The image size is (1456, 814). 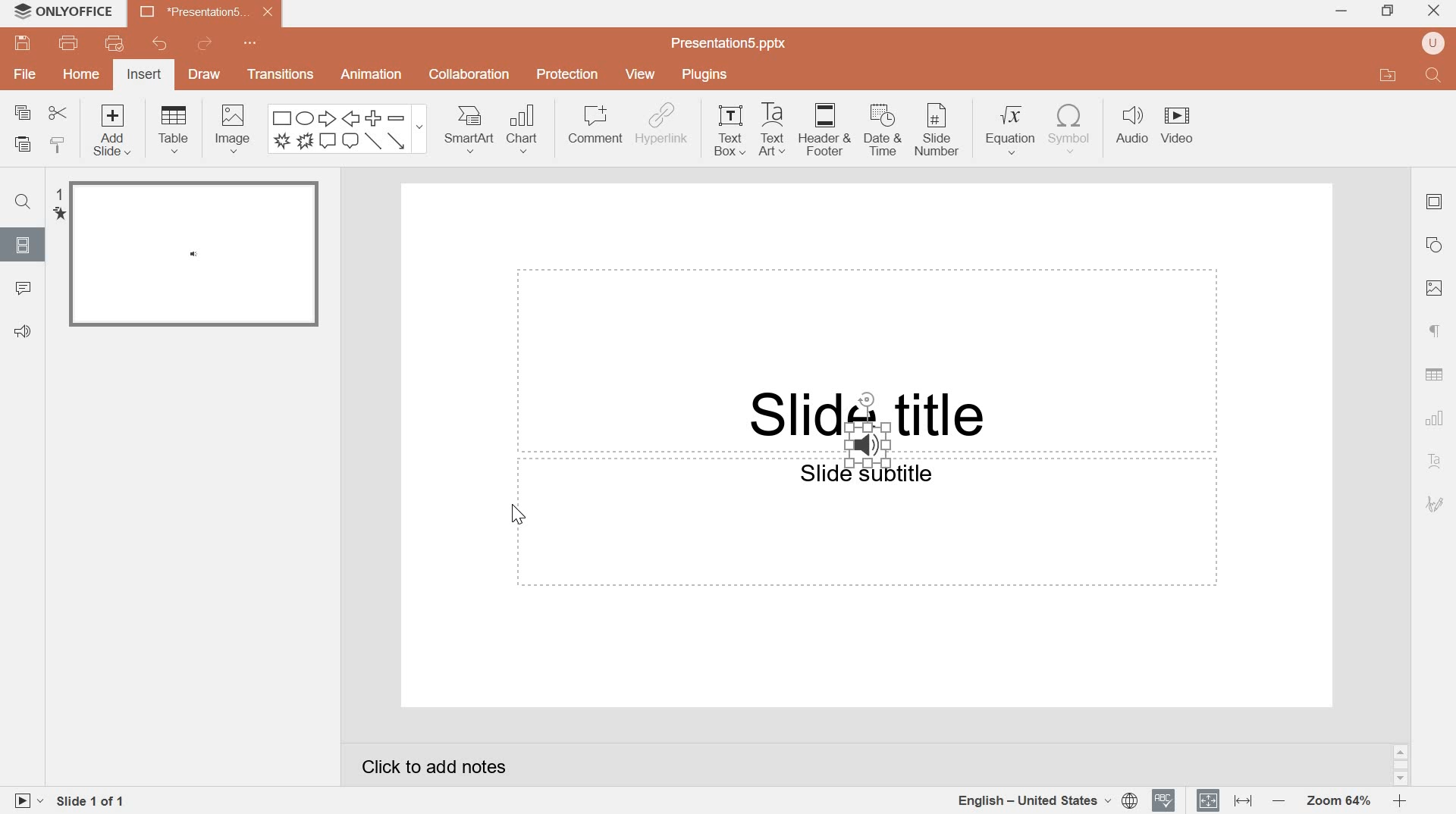 What do you see at coordinates (116, 132) in the screenshot?
I see `Add slide` at bounding box center [116, 132].